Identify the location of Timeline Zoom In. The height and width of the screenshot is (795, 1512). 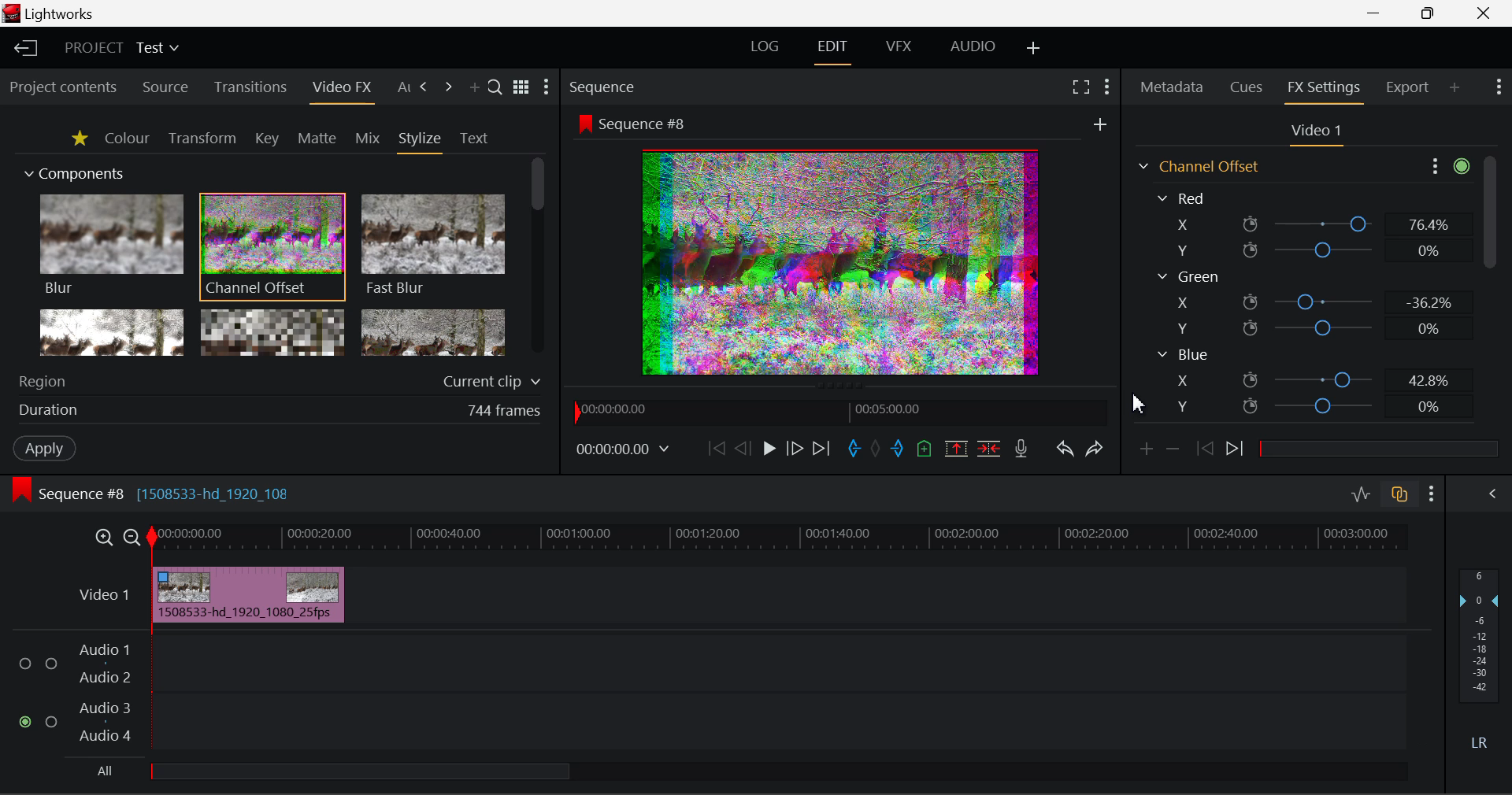
(103, 539).